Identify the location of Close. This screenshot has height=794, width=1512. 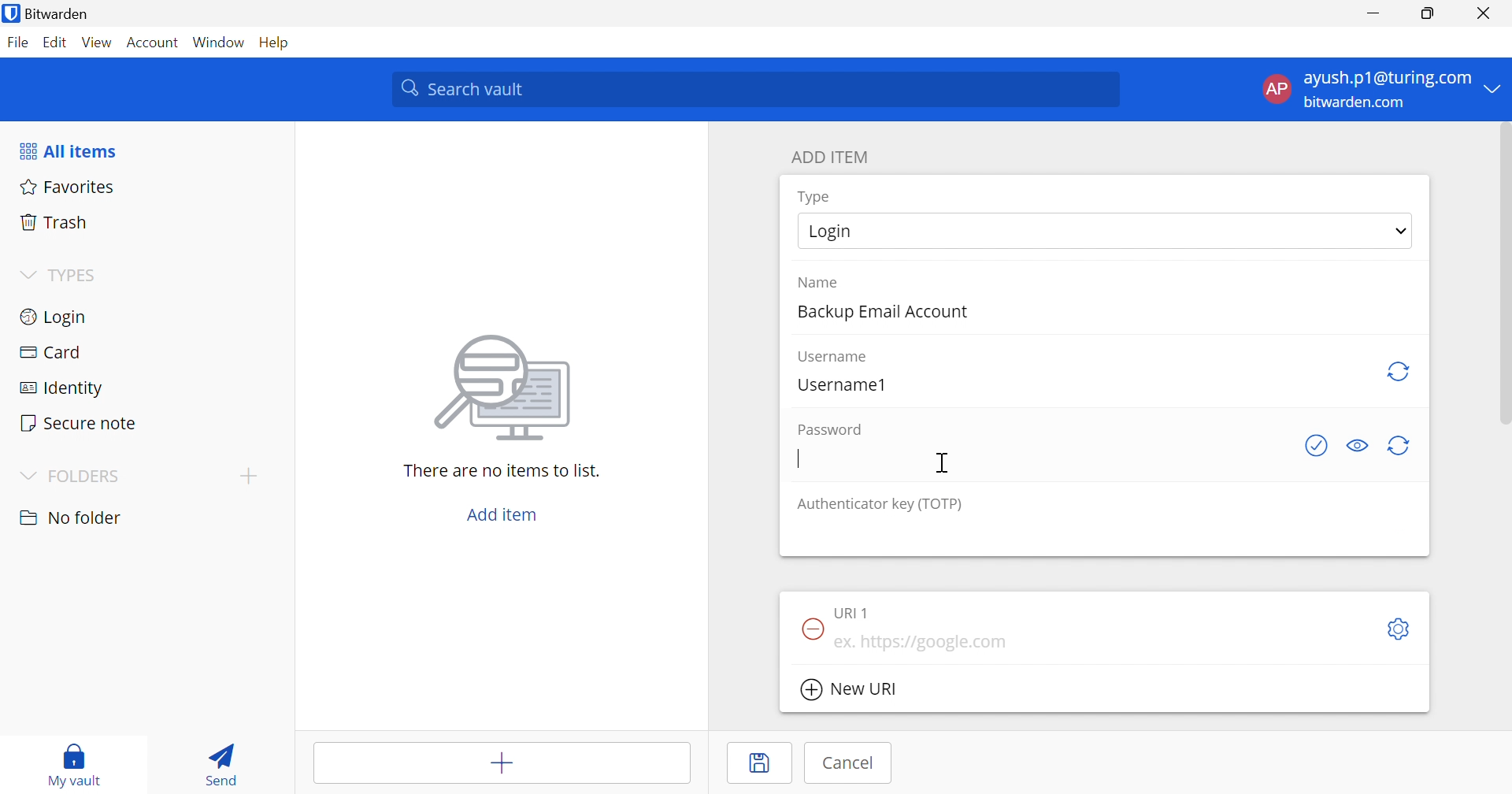
(1484, 13).